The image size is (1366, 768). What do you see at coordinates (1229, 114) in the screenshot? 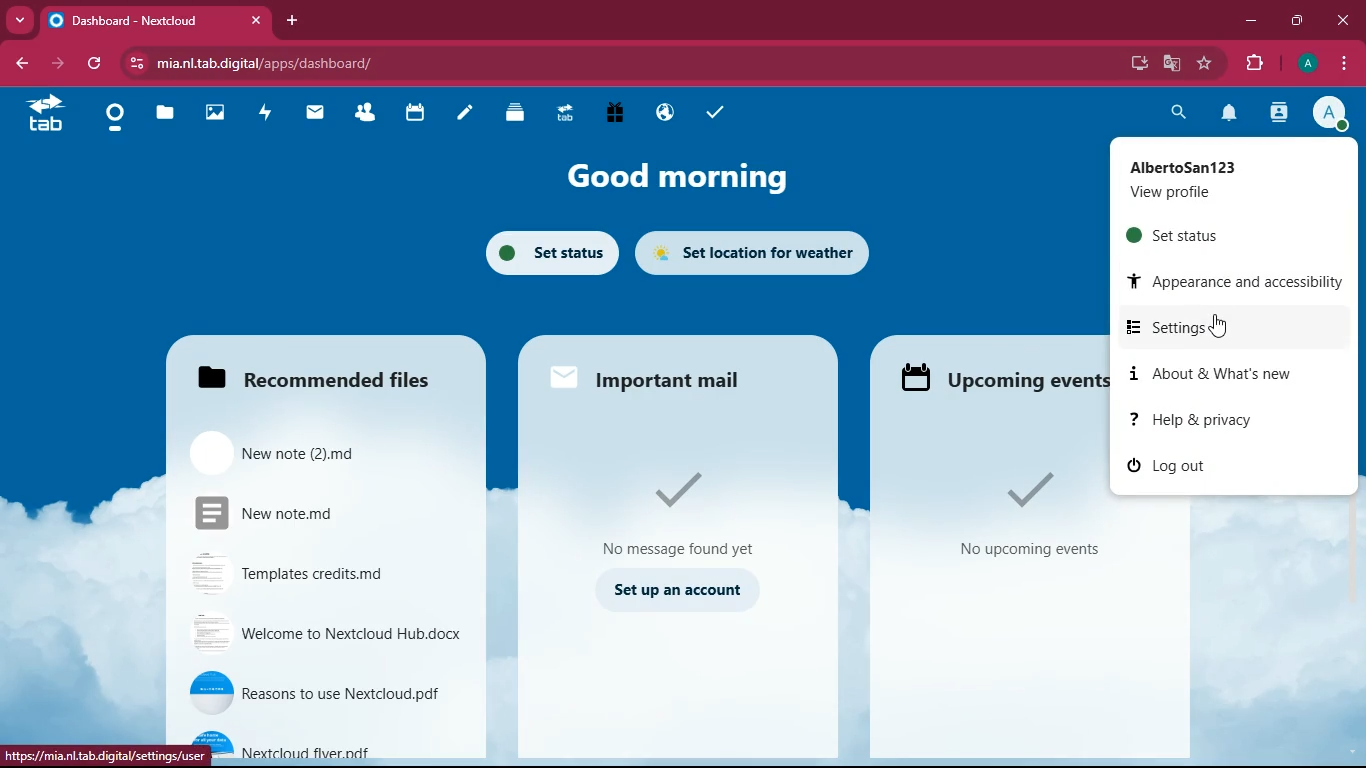
I see `notifications` at bounding box center [1229, 114].